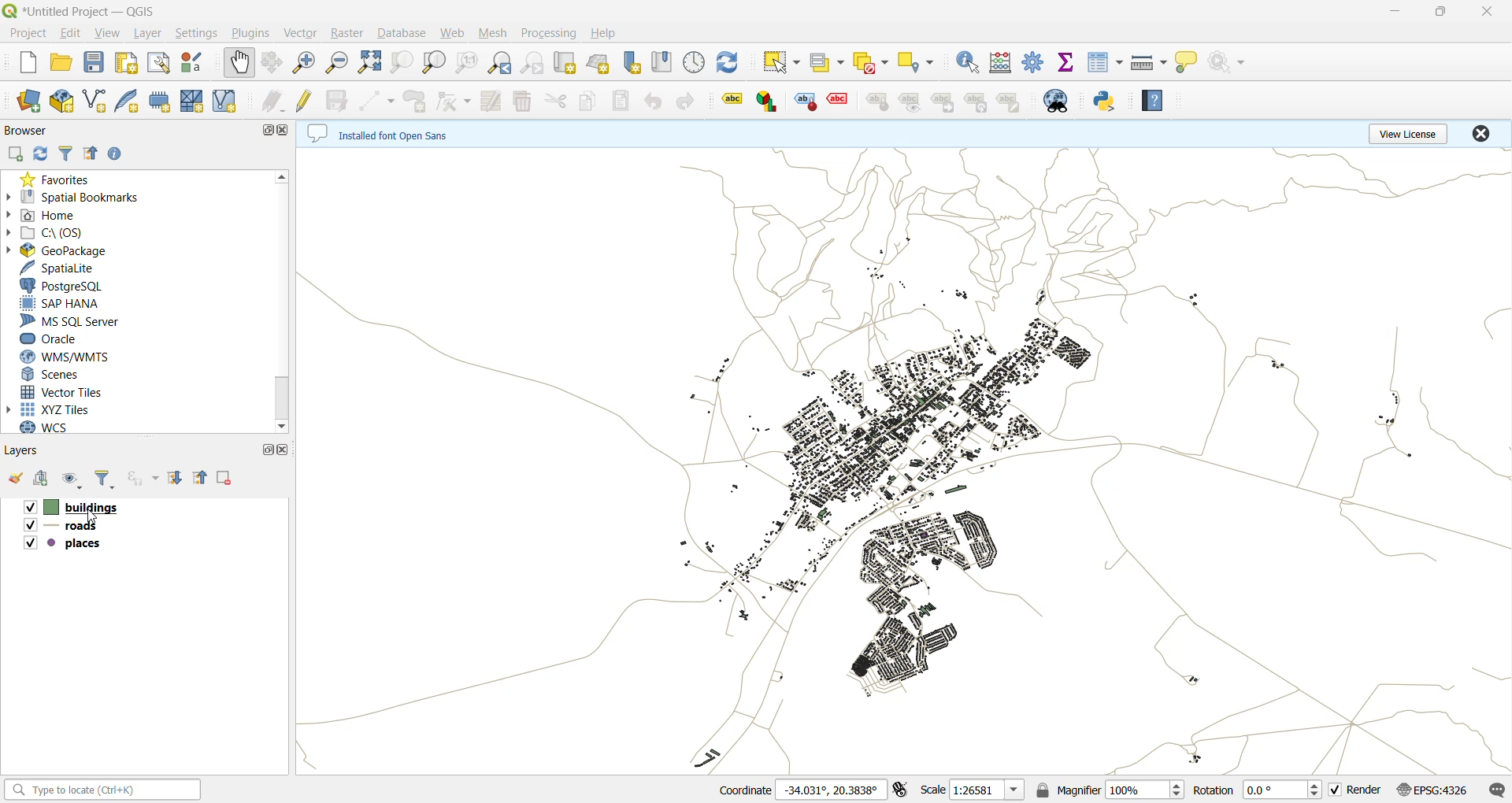  I want to click on status bar, so click(105, 791).